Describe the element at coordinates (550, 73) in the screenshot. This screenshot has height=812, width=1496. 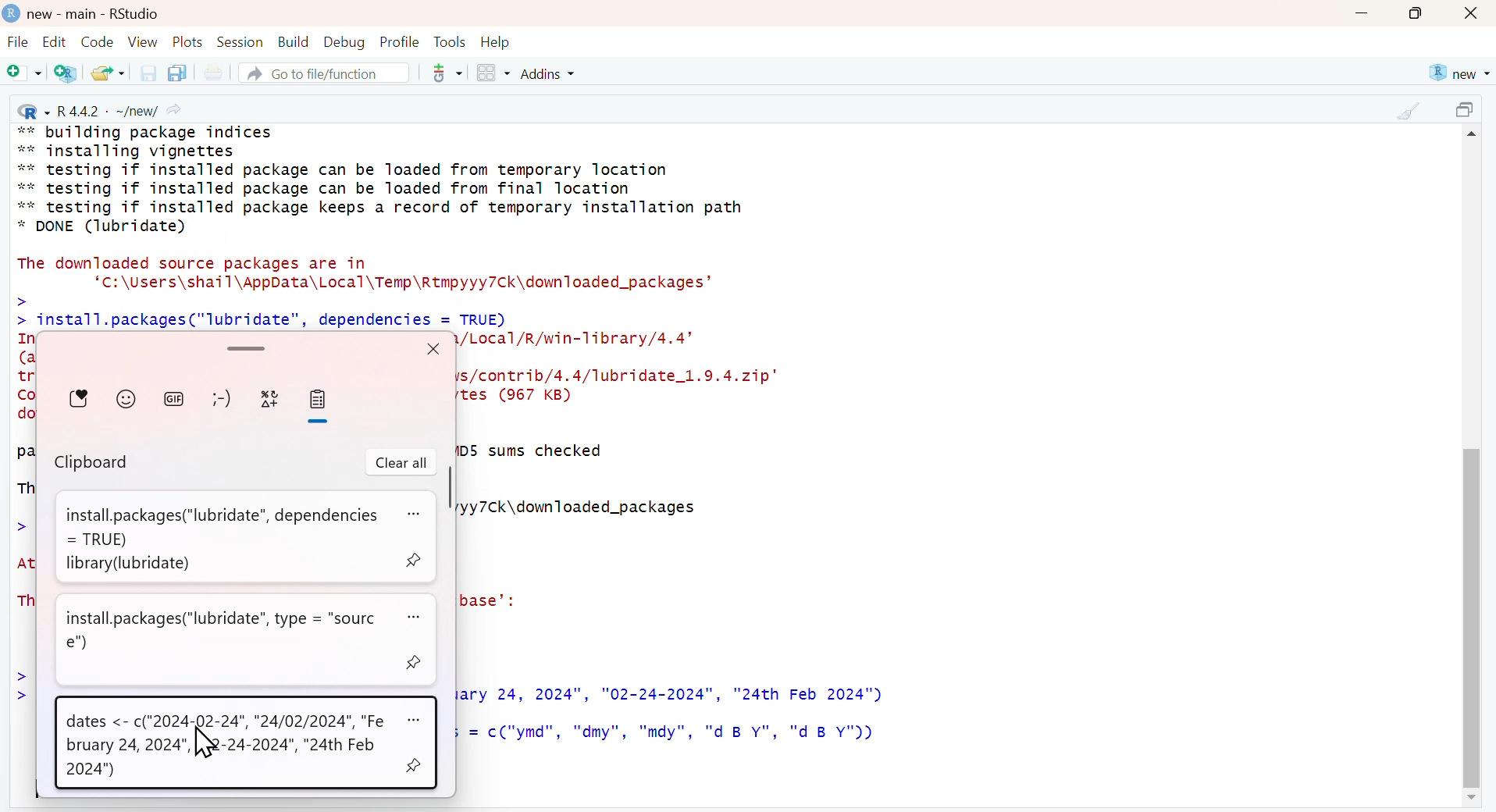
I see `Addins` at that location.